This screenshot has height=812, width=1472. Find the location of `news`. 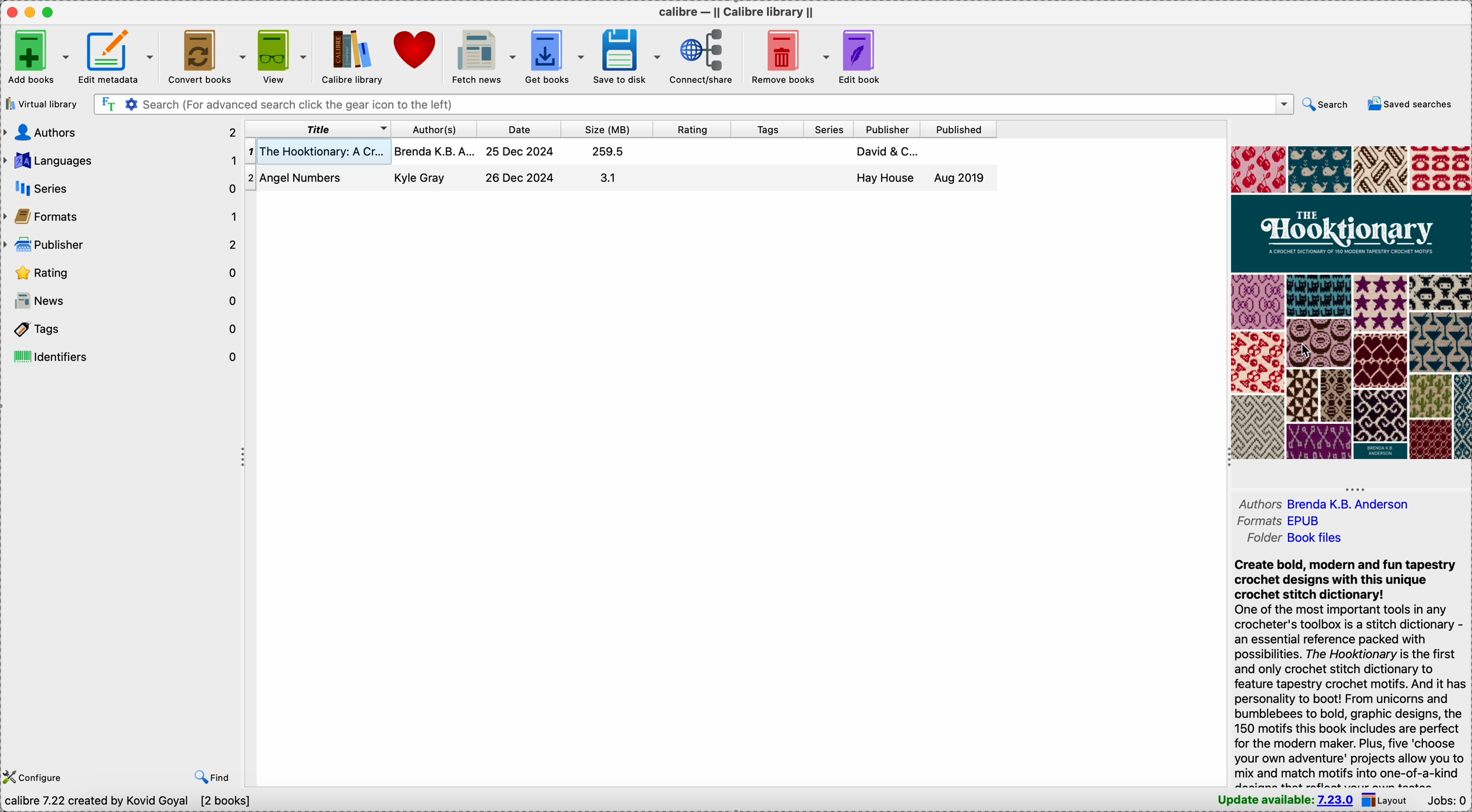

news is located at coordinates (122, 299).